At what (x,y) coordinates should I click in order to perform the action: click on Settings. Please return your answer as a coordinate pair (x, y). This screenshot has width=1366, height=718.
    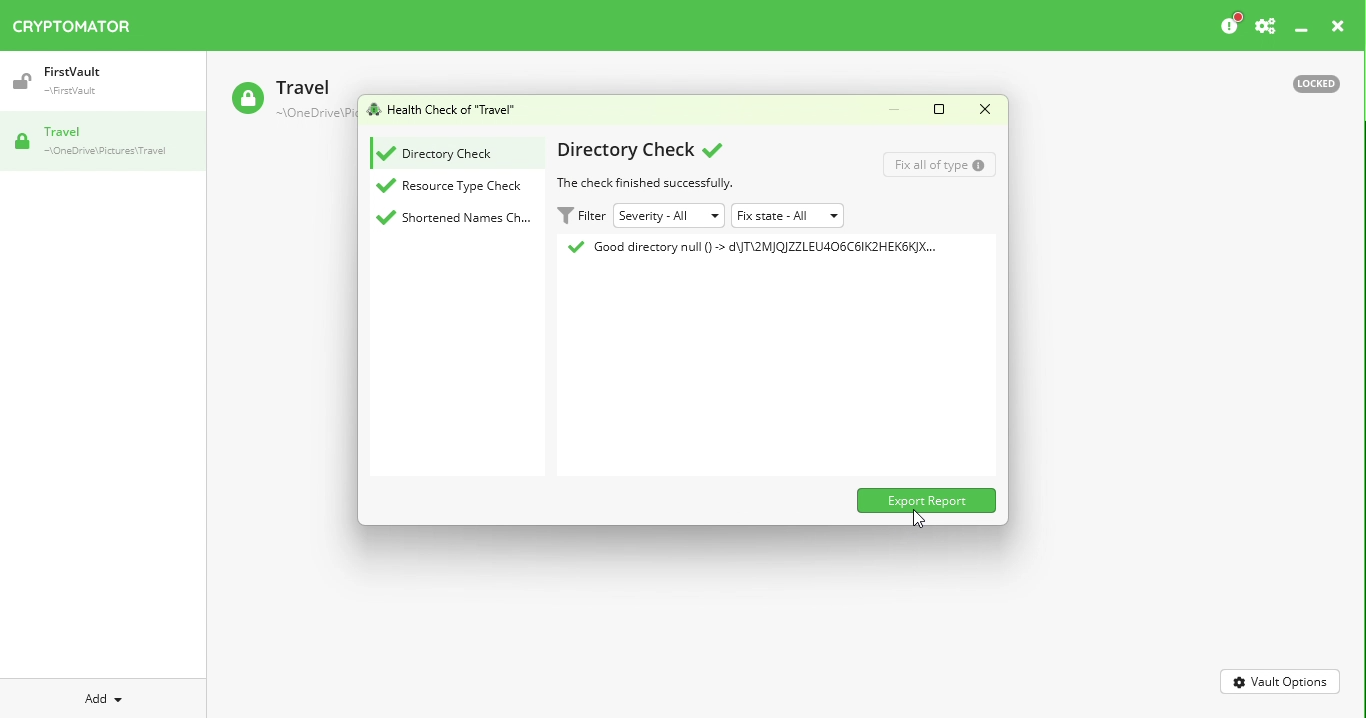
    Looking at the image, I should click on (1268, 25).